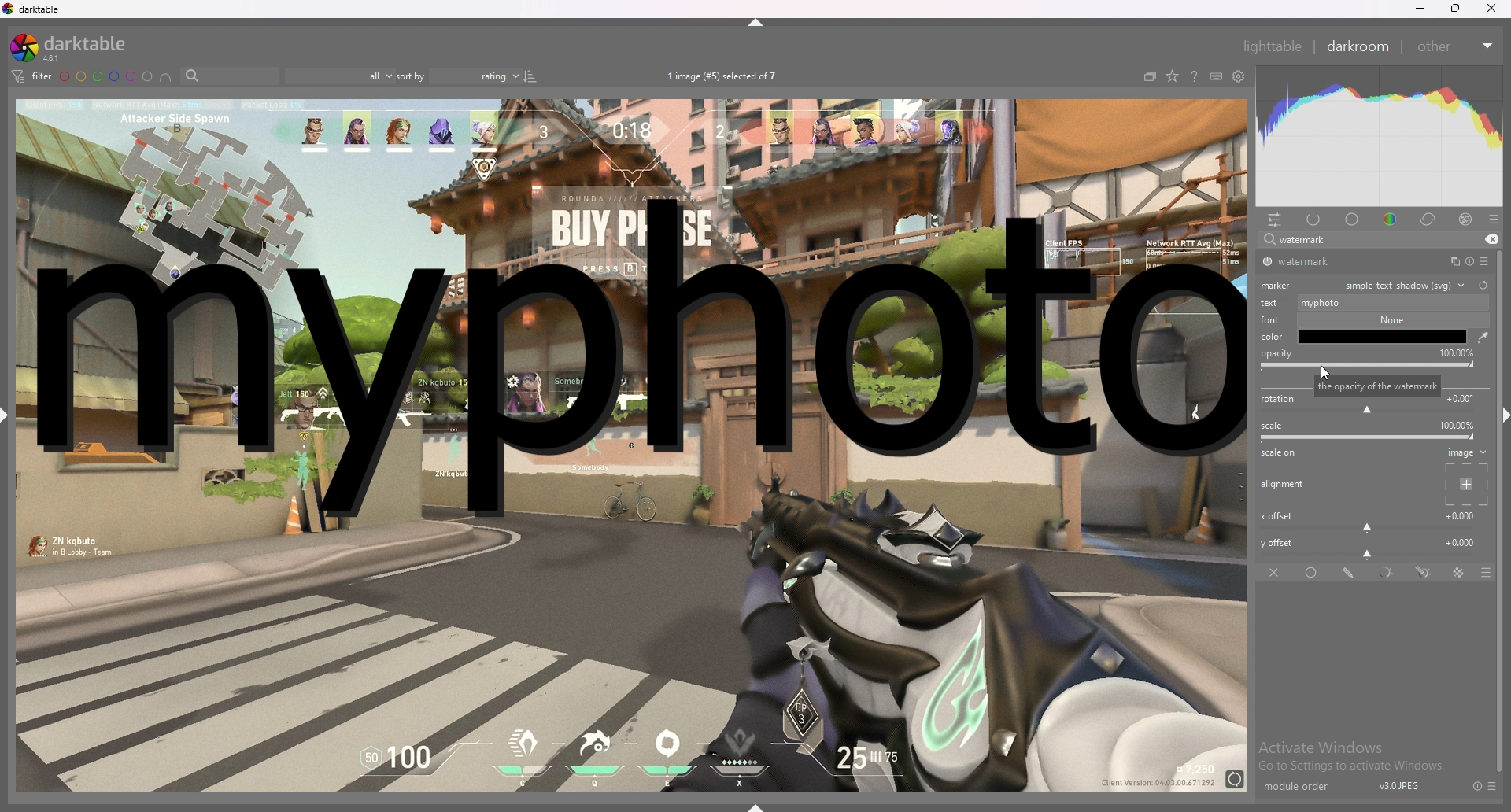  What do you see at coordinates (1304, 787) in the screenshot?
I see `module order` at bounding box center [1304, 787].